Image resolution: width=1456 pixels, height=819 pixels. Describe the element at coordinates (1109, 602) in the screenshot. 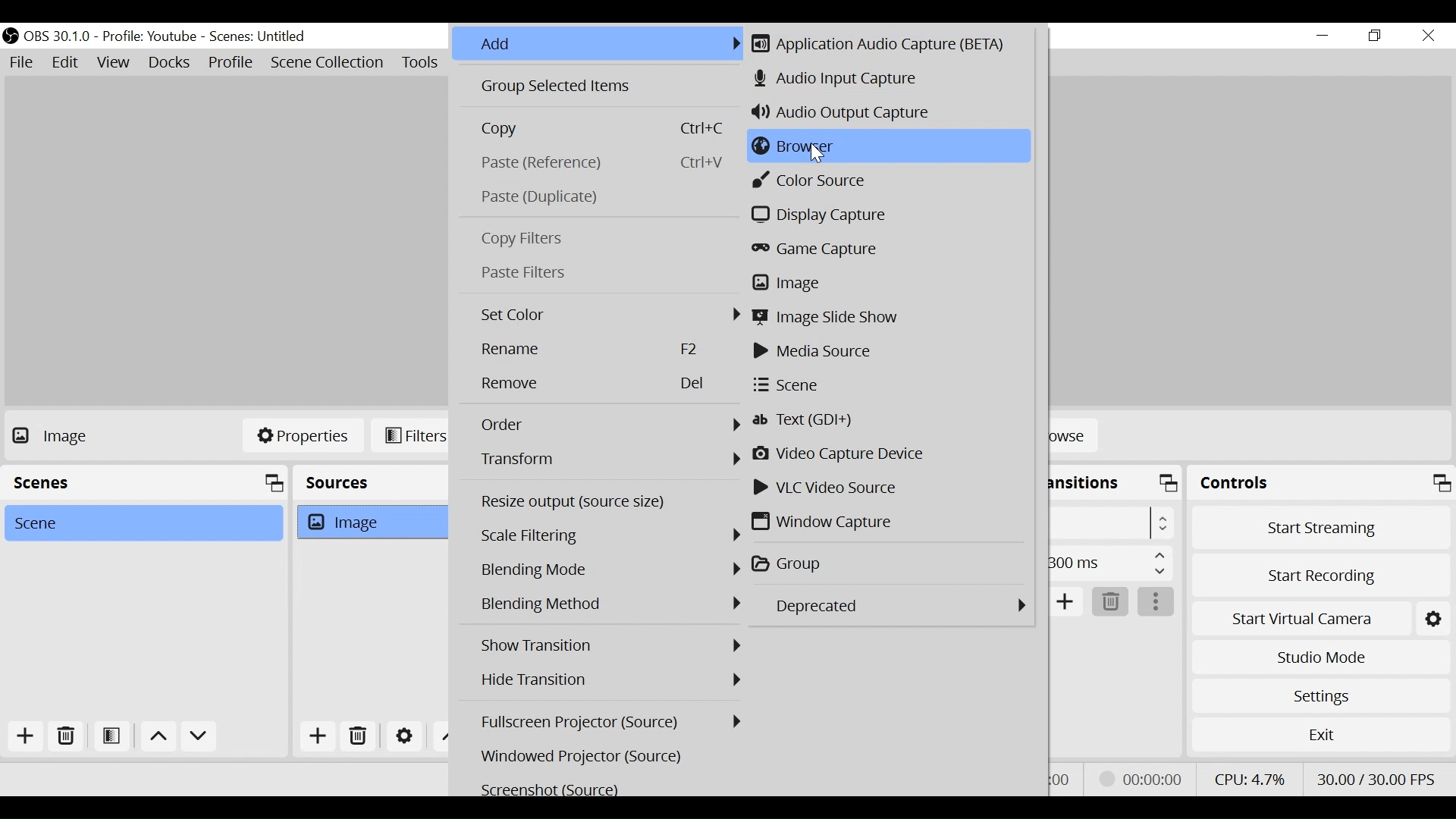

I see `Delete` at that location.